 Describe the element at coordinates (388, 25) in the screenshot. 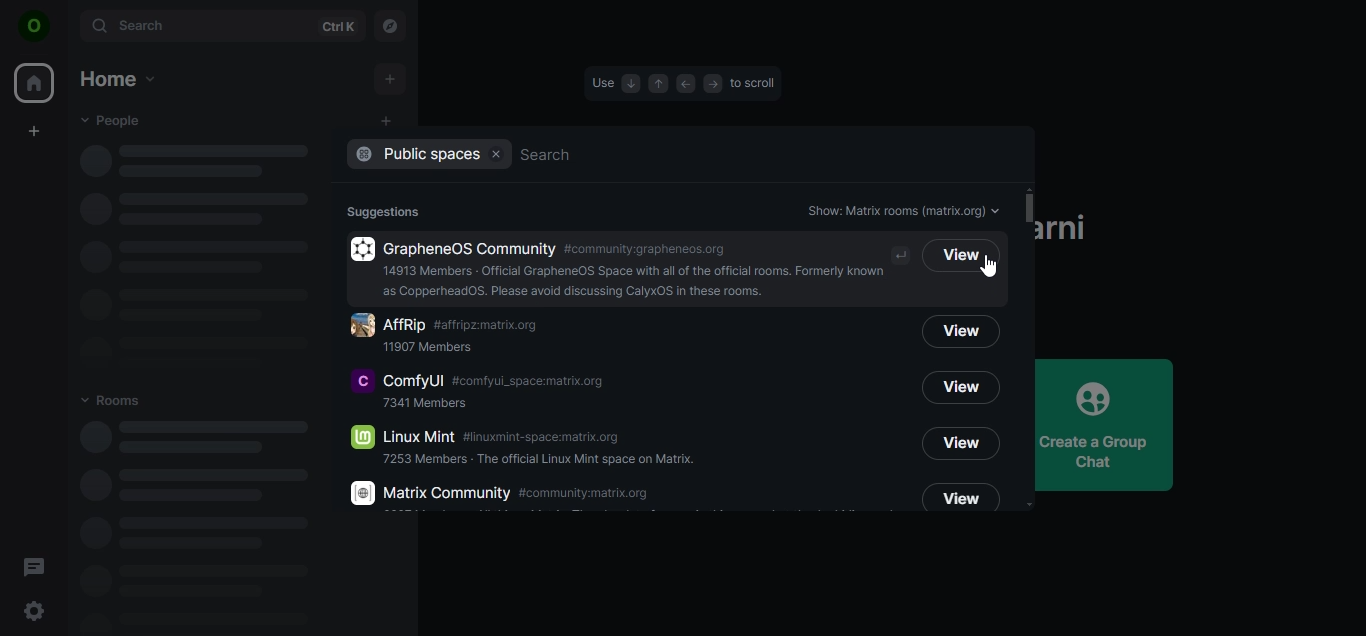

I see `explore rooms` at that location.